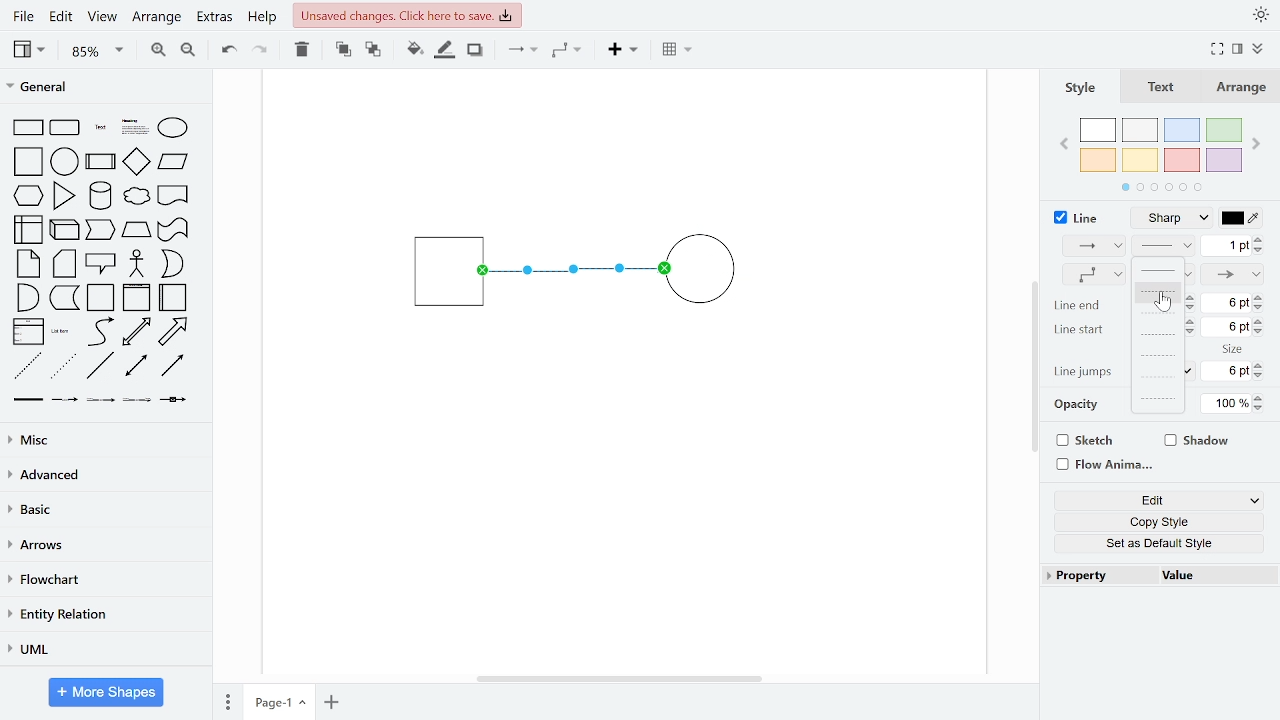 Image resolution: width=1280 pixels, height=720 pixels. Describe the element at coordinates (107, 694) in the screenshot. I see `more shapes` at that location.